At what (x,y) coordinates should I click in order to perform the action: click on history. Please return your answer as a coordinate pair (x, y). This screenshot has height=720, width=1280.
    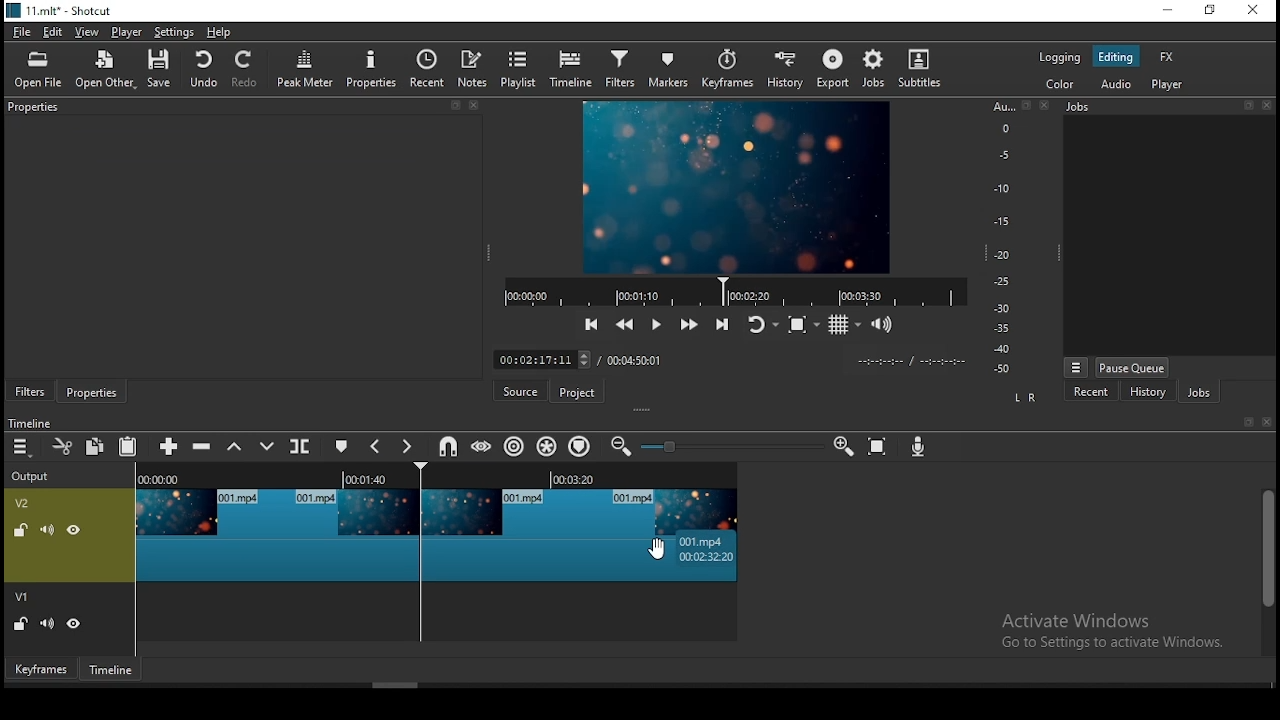
    Looking at the image, I should click on (790, 70).